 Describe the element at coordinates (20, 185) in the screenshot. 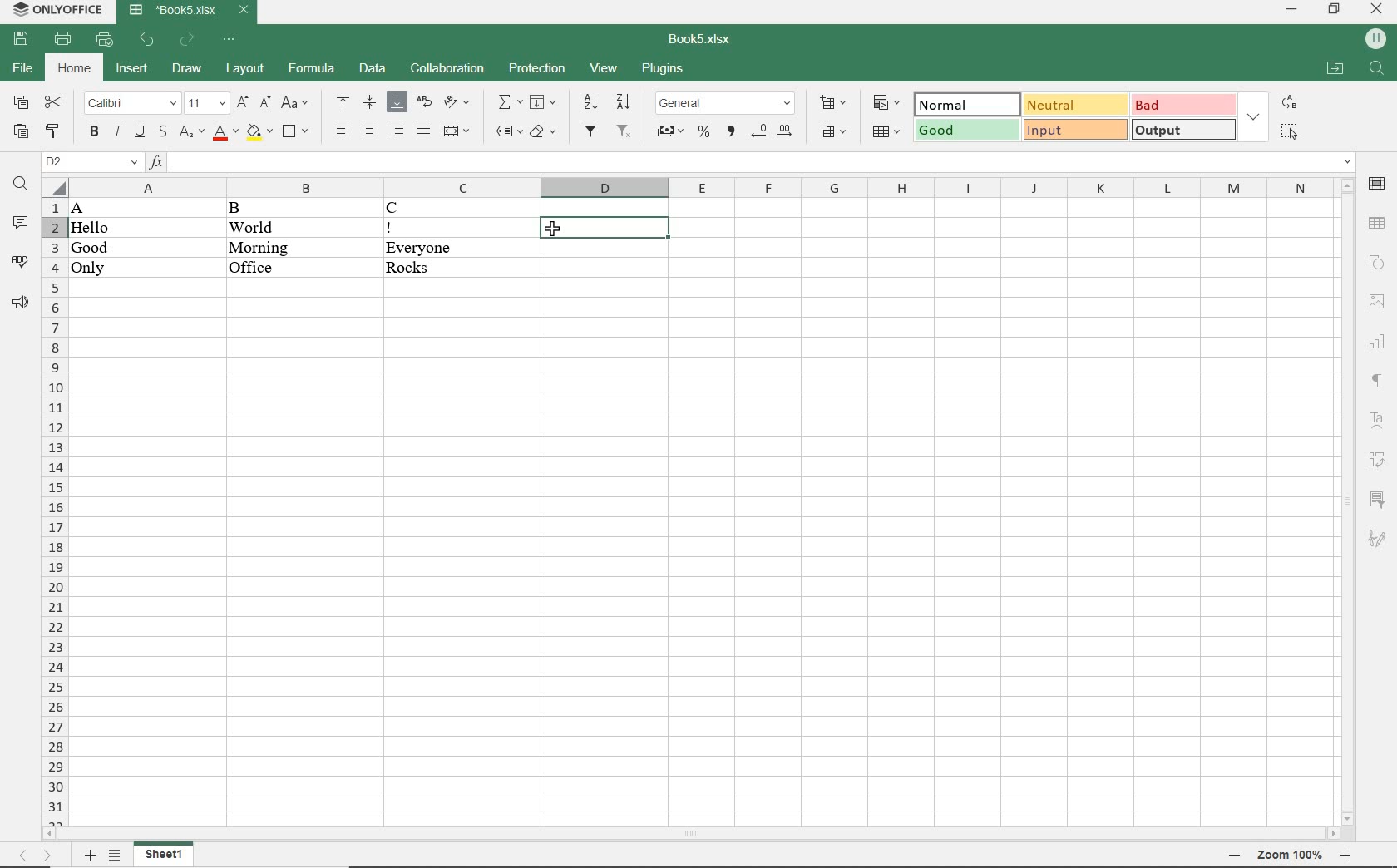

I see `find` at that location.